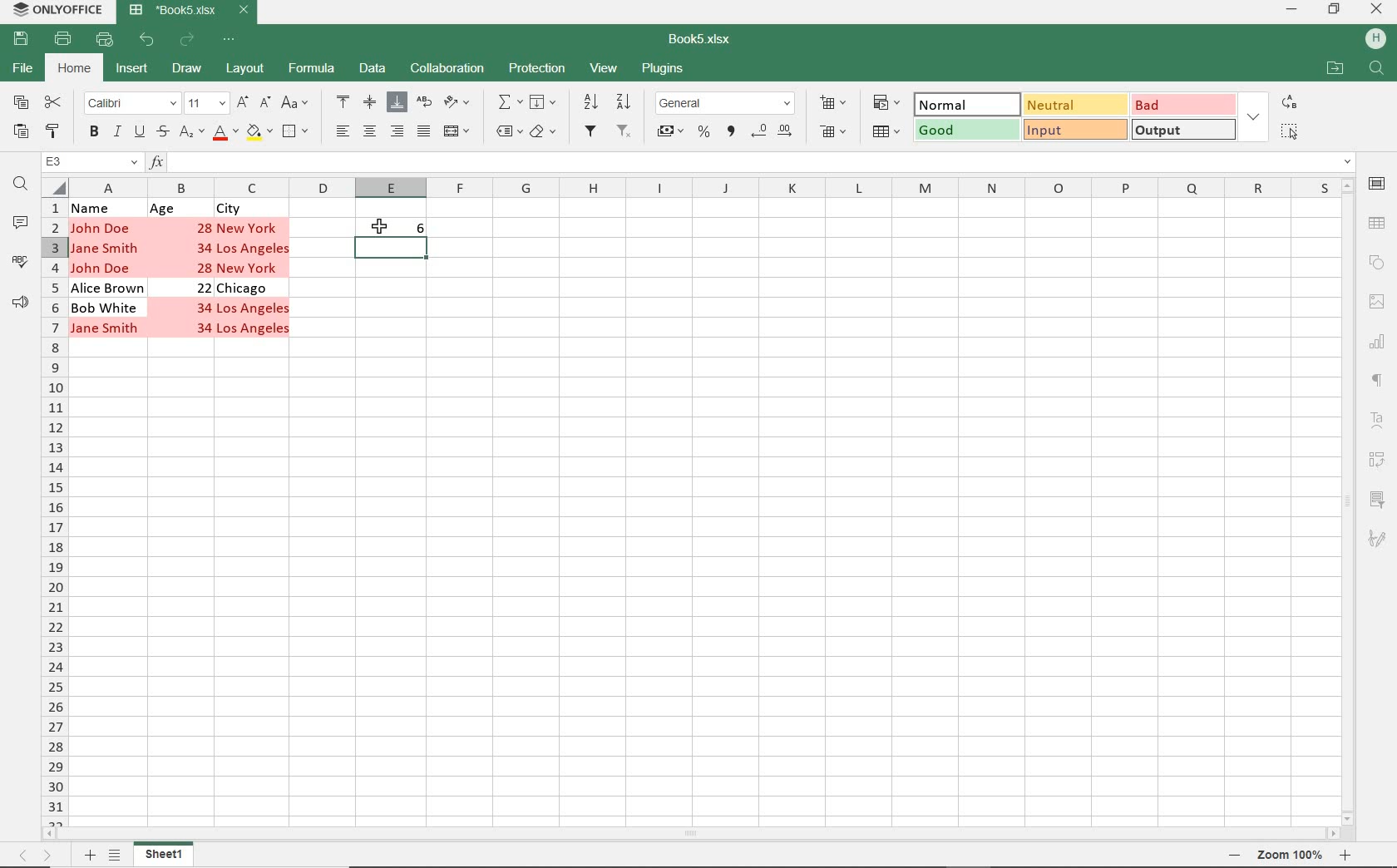  What do you see at coordinates (106, 308) in the screenshot?
I see `Bob White` at bounding box center [106, 308].